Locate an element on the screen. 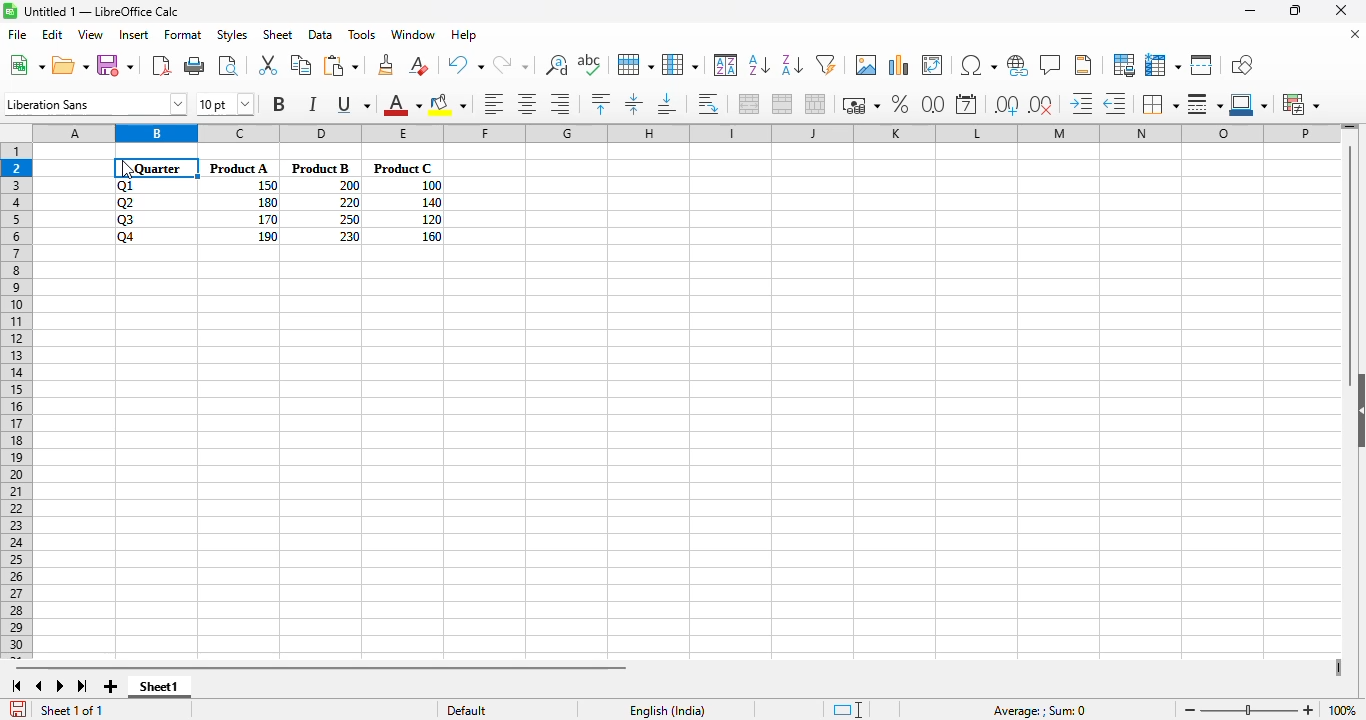 The width and height of the screenshot is (1366, 720). font color is located at coordinates (402, 104).